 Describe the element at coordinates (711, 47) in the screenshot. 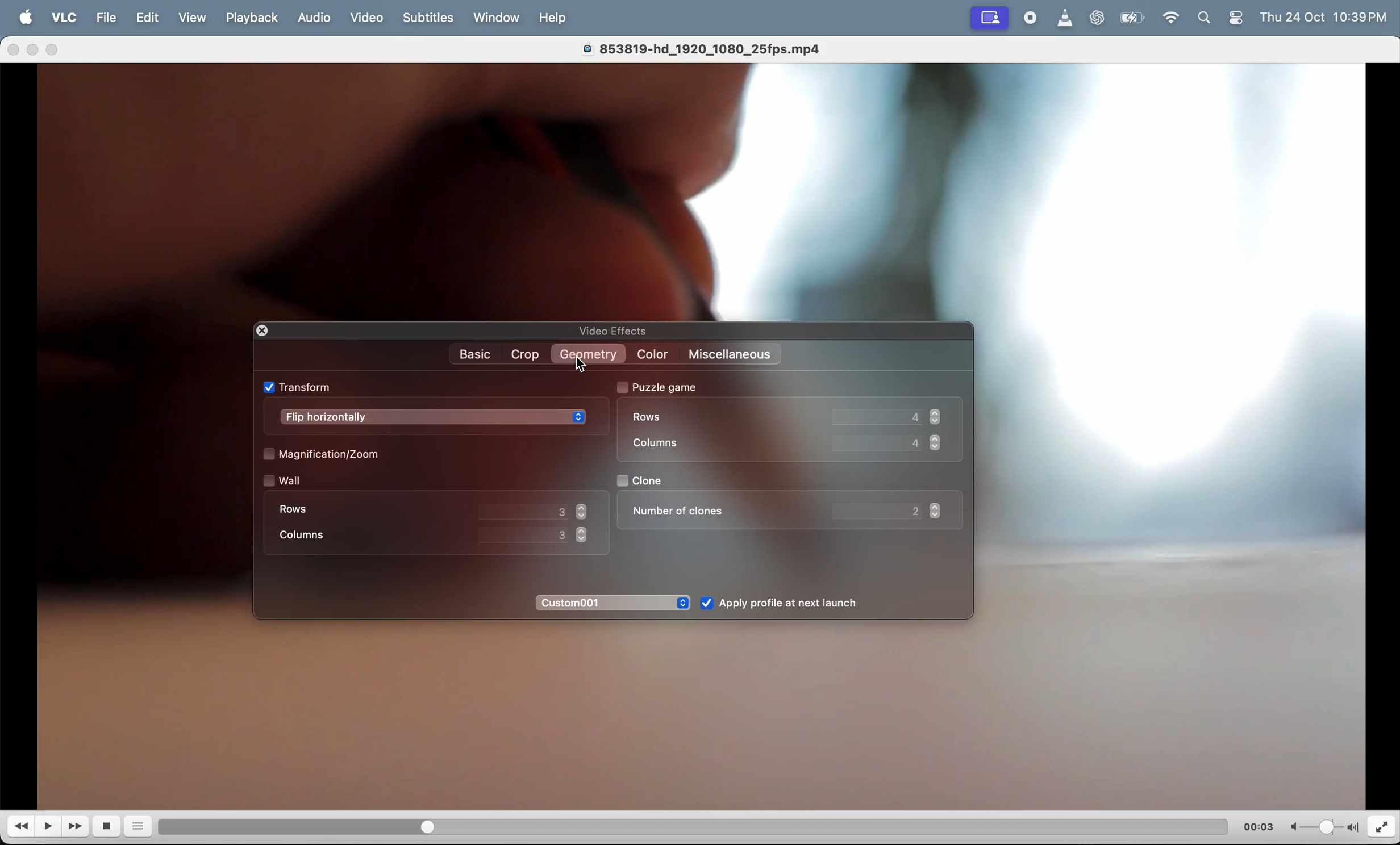

I see `video title` at that location.